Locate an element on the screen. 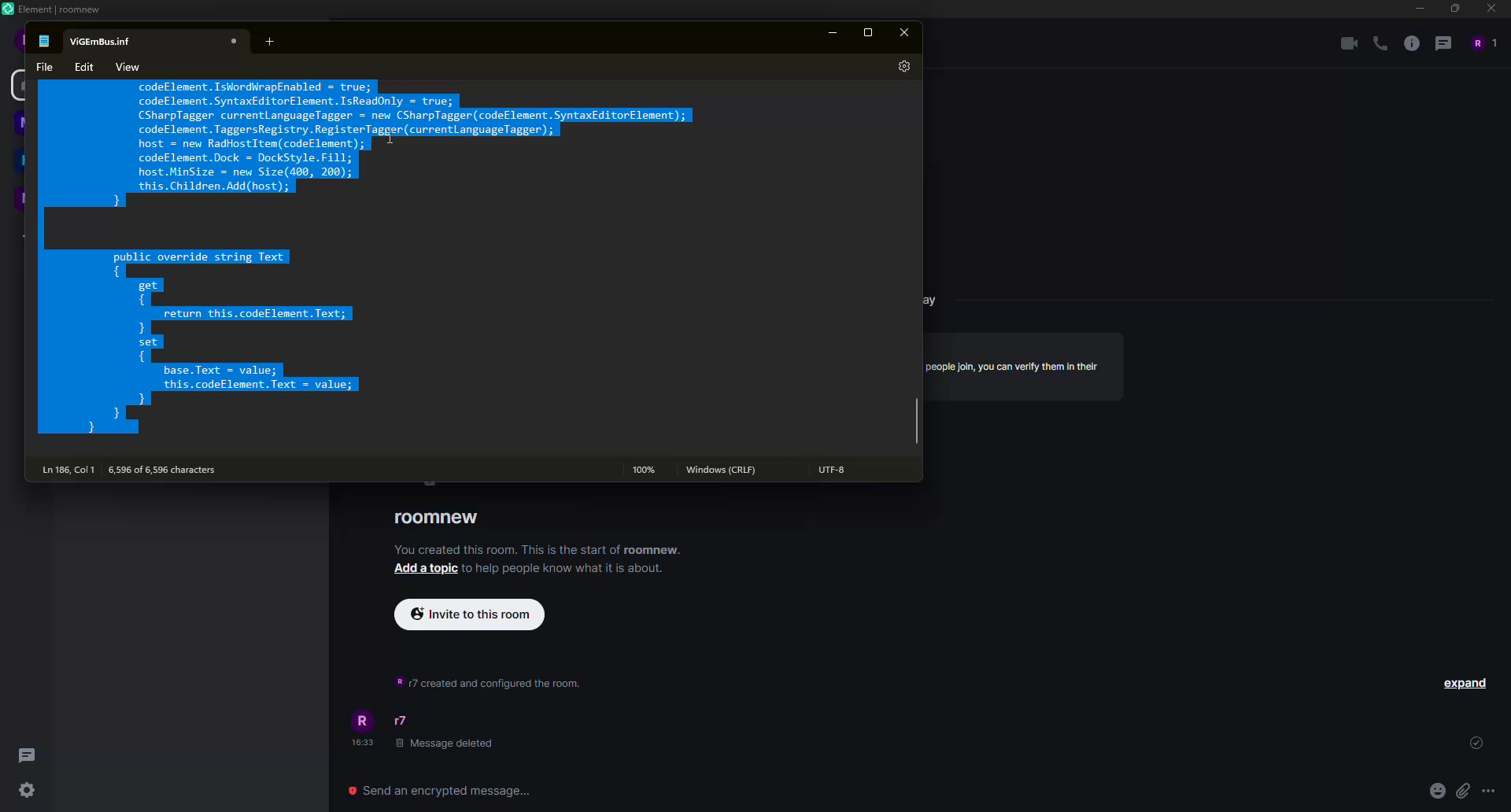  threads is located at coordinates (1443, 42).